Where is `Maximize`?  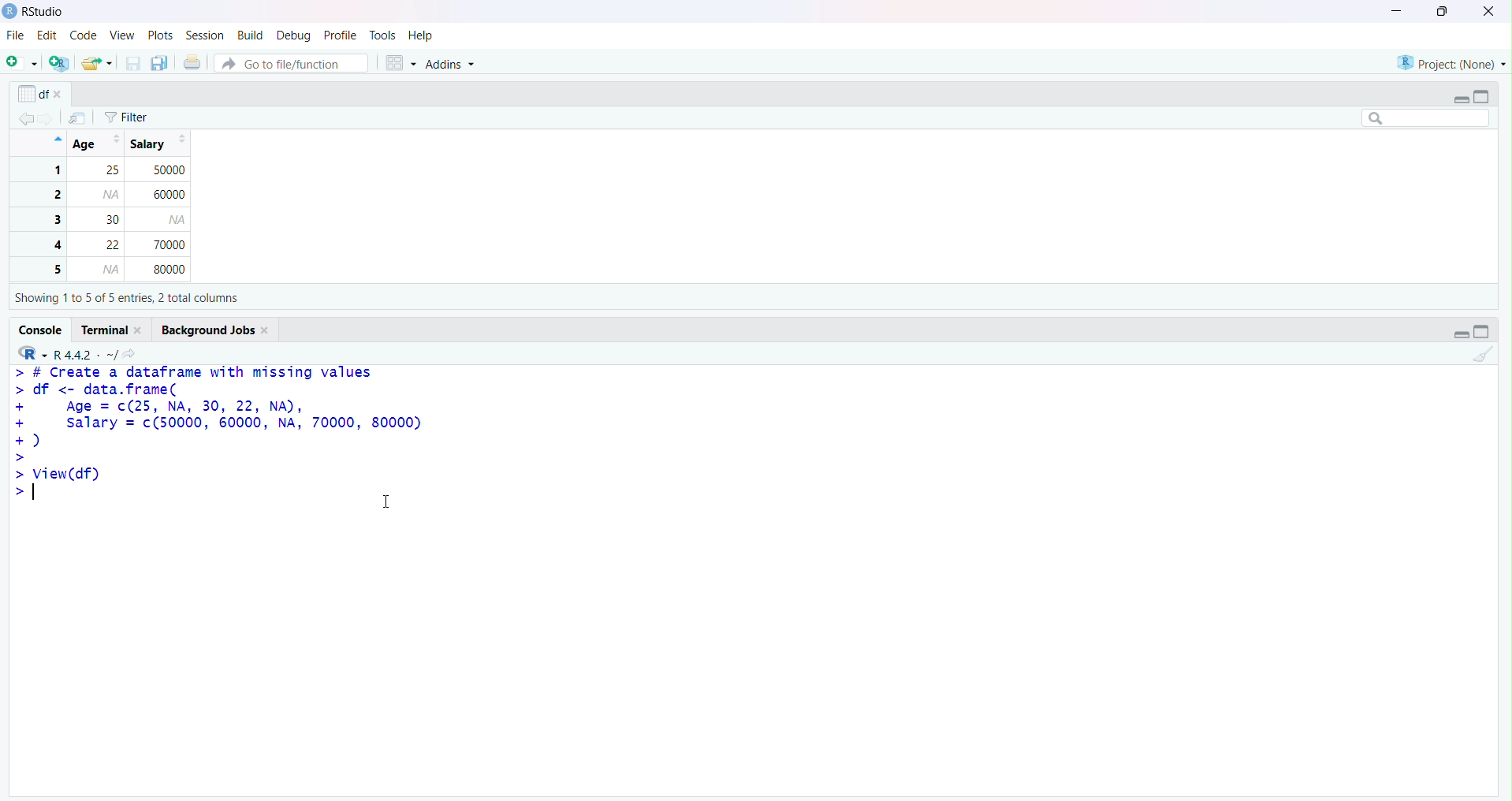 Maximize is located at coordinates (1445, 12).